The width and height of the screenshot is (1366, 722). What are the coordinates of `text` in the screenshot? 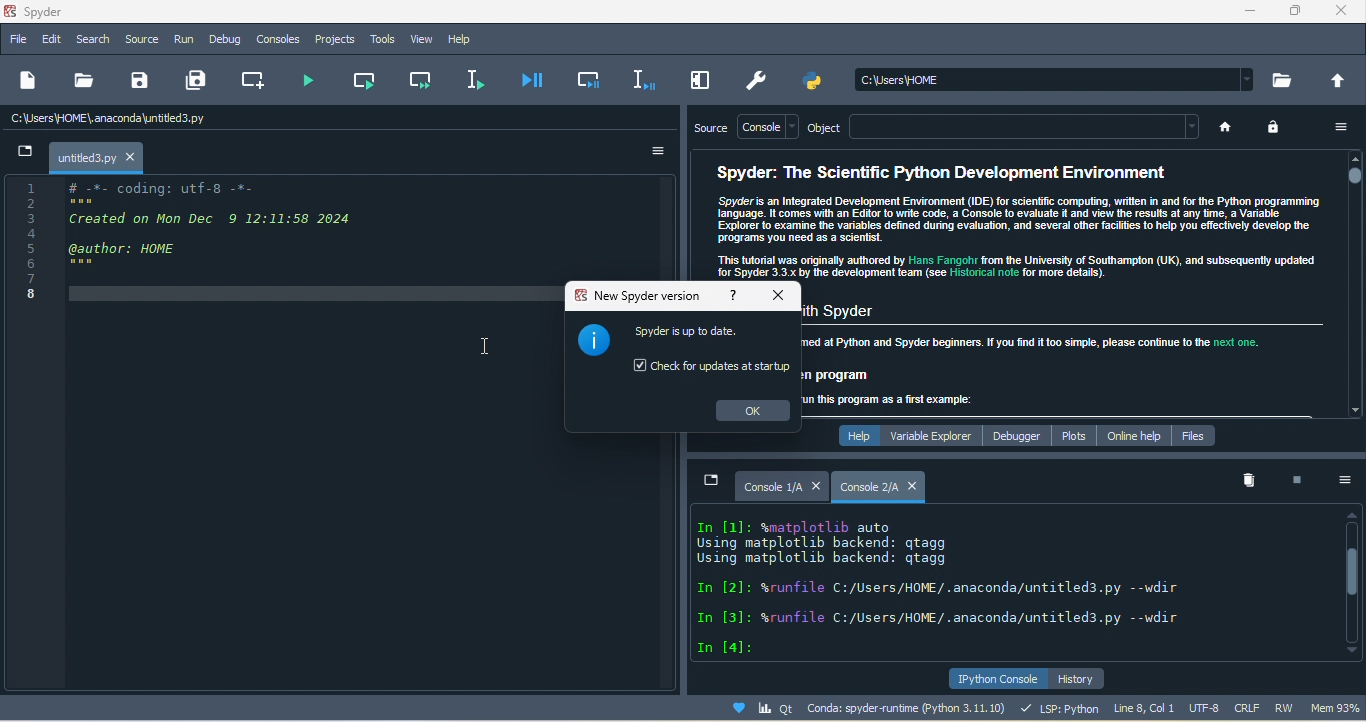 It's located at (753, 215).